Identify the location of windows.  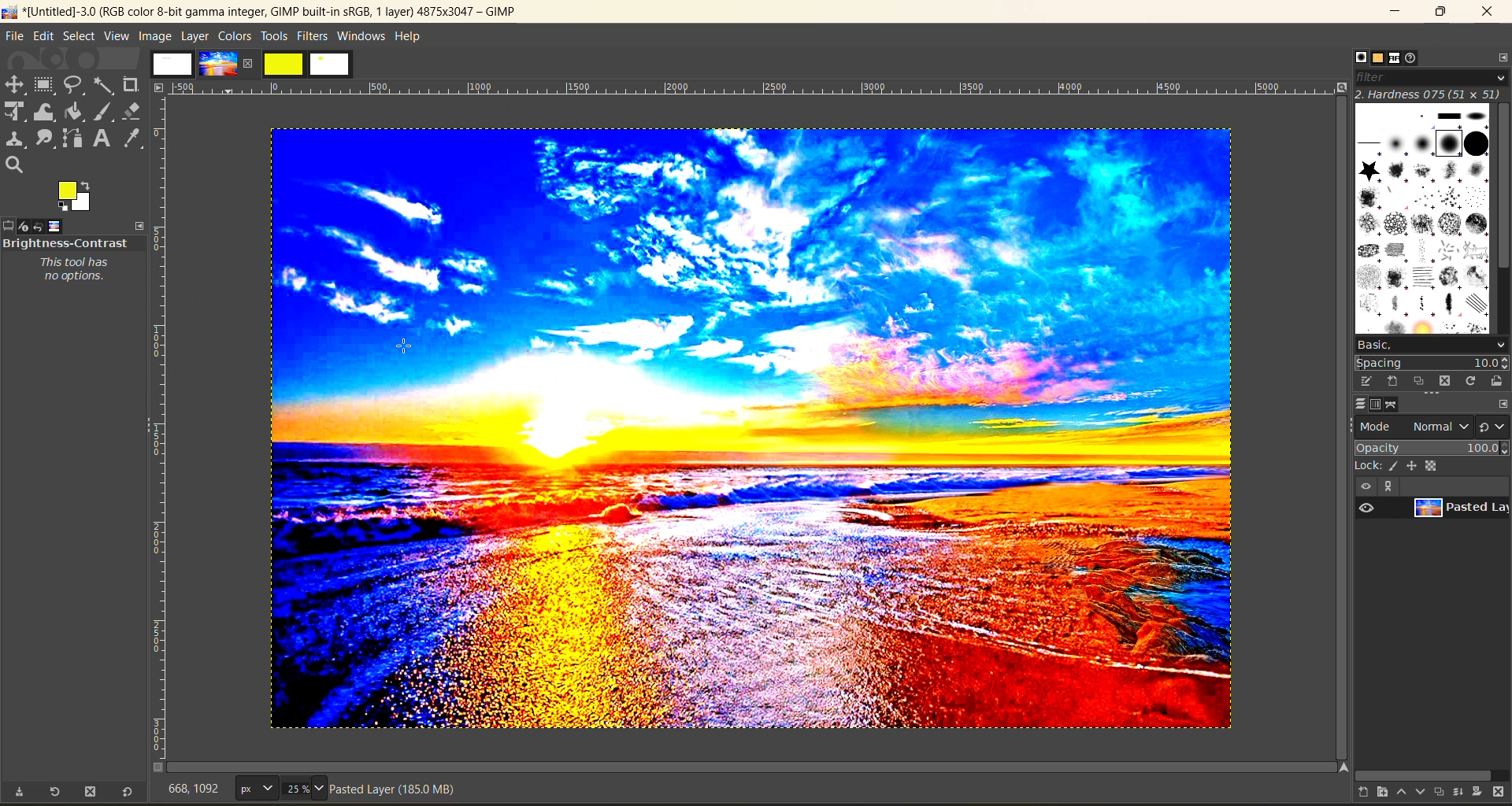
(362, 37).